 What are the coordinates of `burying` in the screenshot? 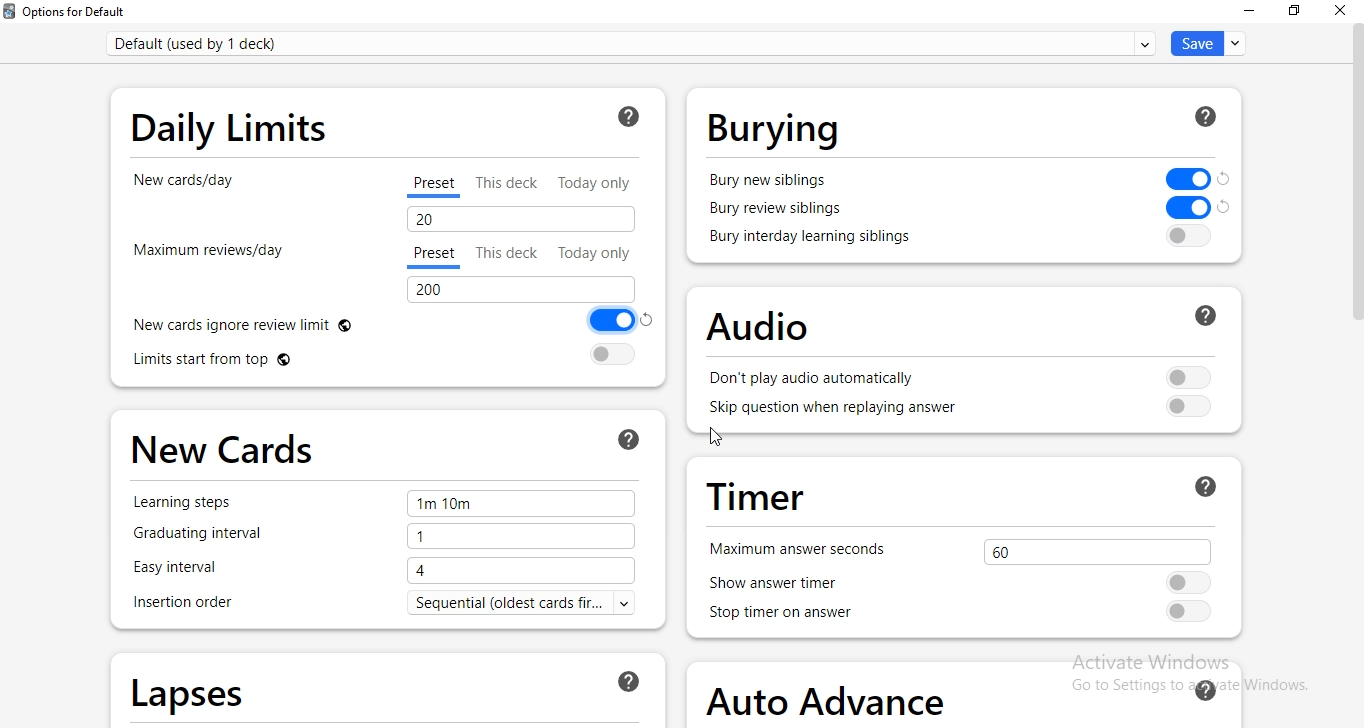 It's located at (776, 128).